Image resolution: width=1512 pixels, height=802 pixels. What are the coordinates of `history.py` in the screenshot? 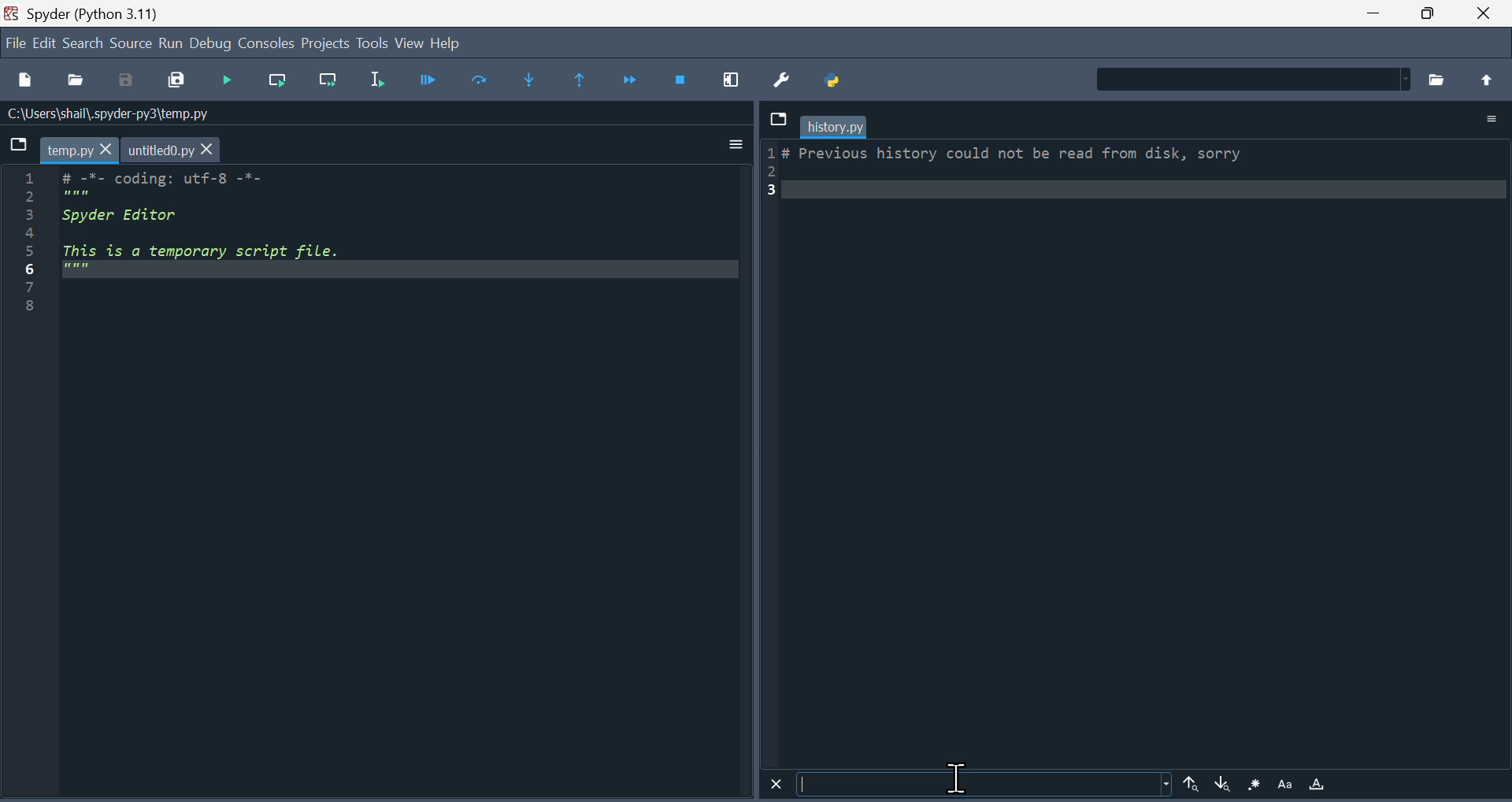 It's located at (834, 127).